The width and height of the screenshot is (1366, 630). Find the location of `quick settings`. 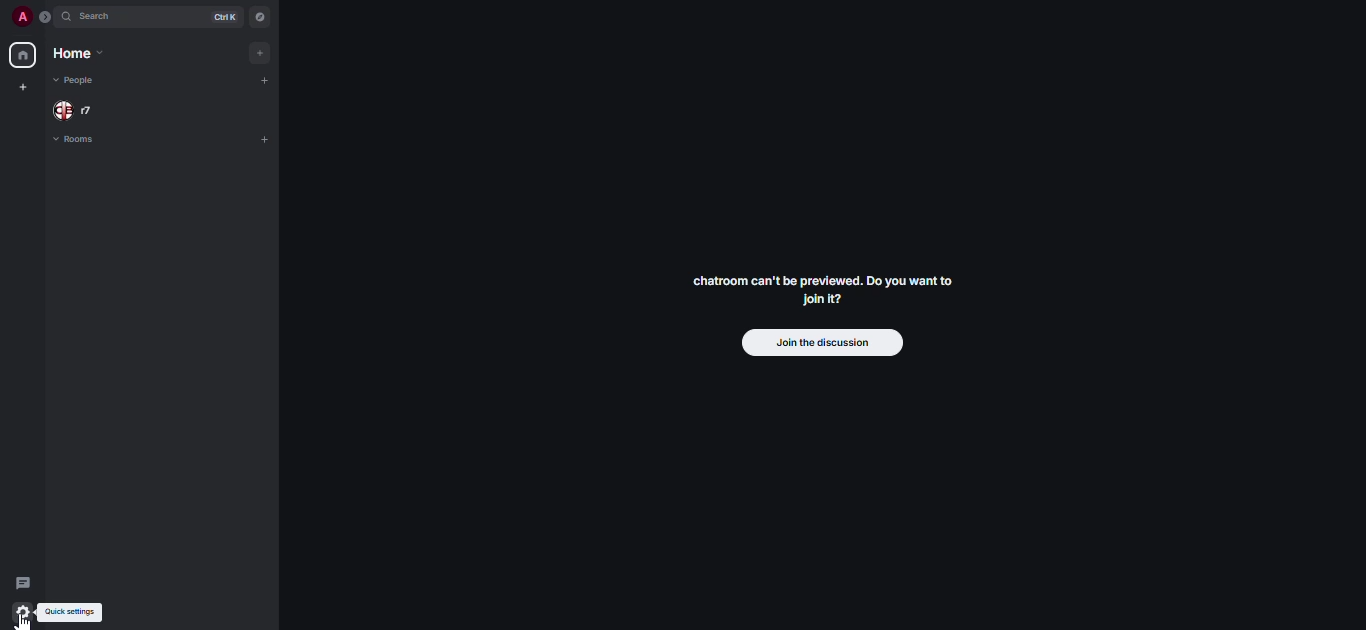

quick settings is located at coordinates (25, 613).